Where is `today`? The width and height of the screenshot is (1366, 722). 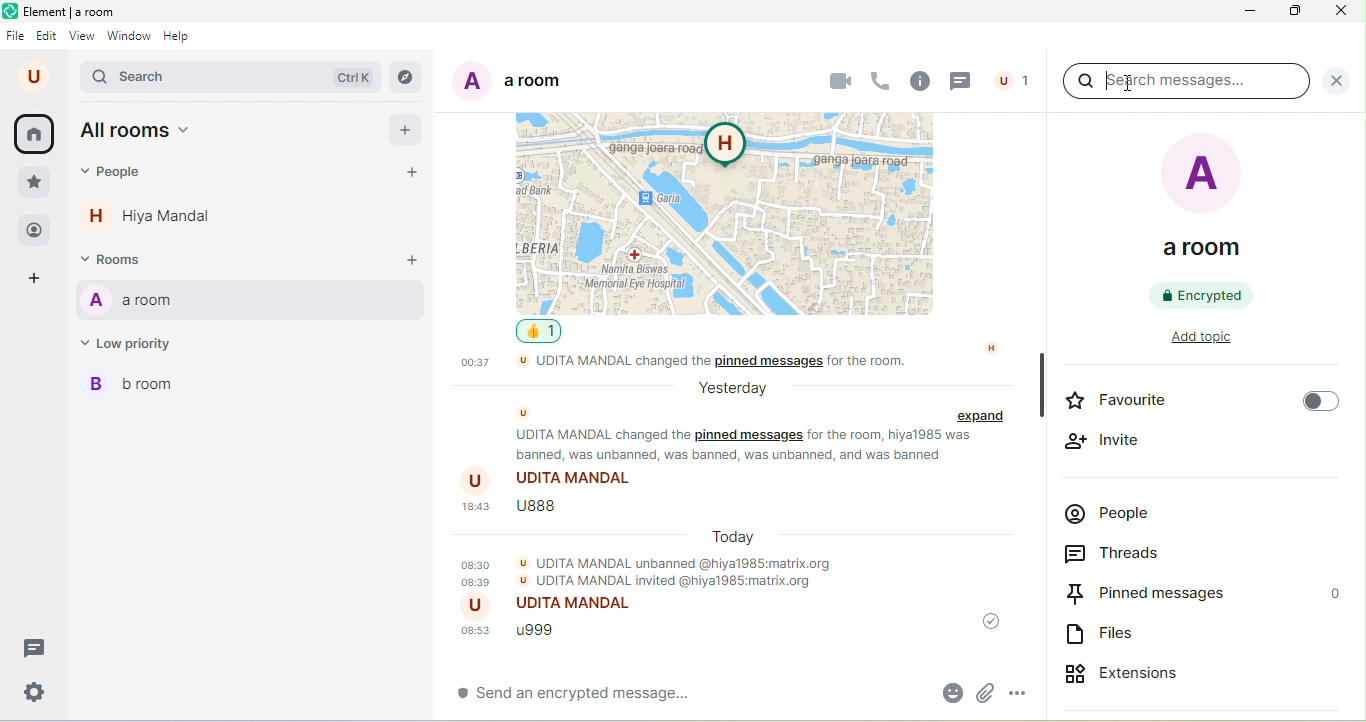 today is located at coordinates (735, 536).